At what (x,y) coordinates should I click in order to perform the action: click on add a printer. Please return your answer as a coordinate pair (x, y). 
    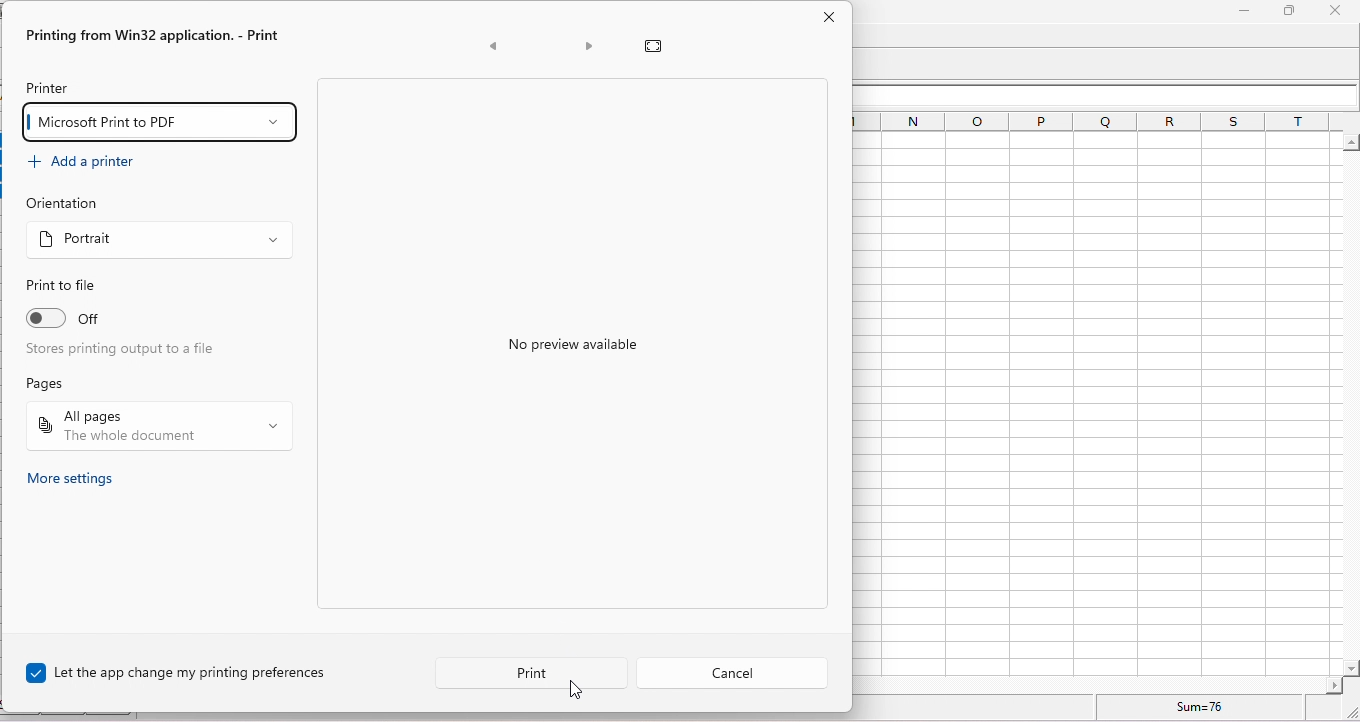
    Looking at the image, I should click on (92, 164).